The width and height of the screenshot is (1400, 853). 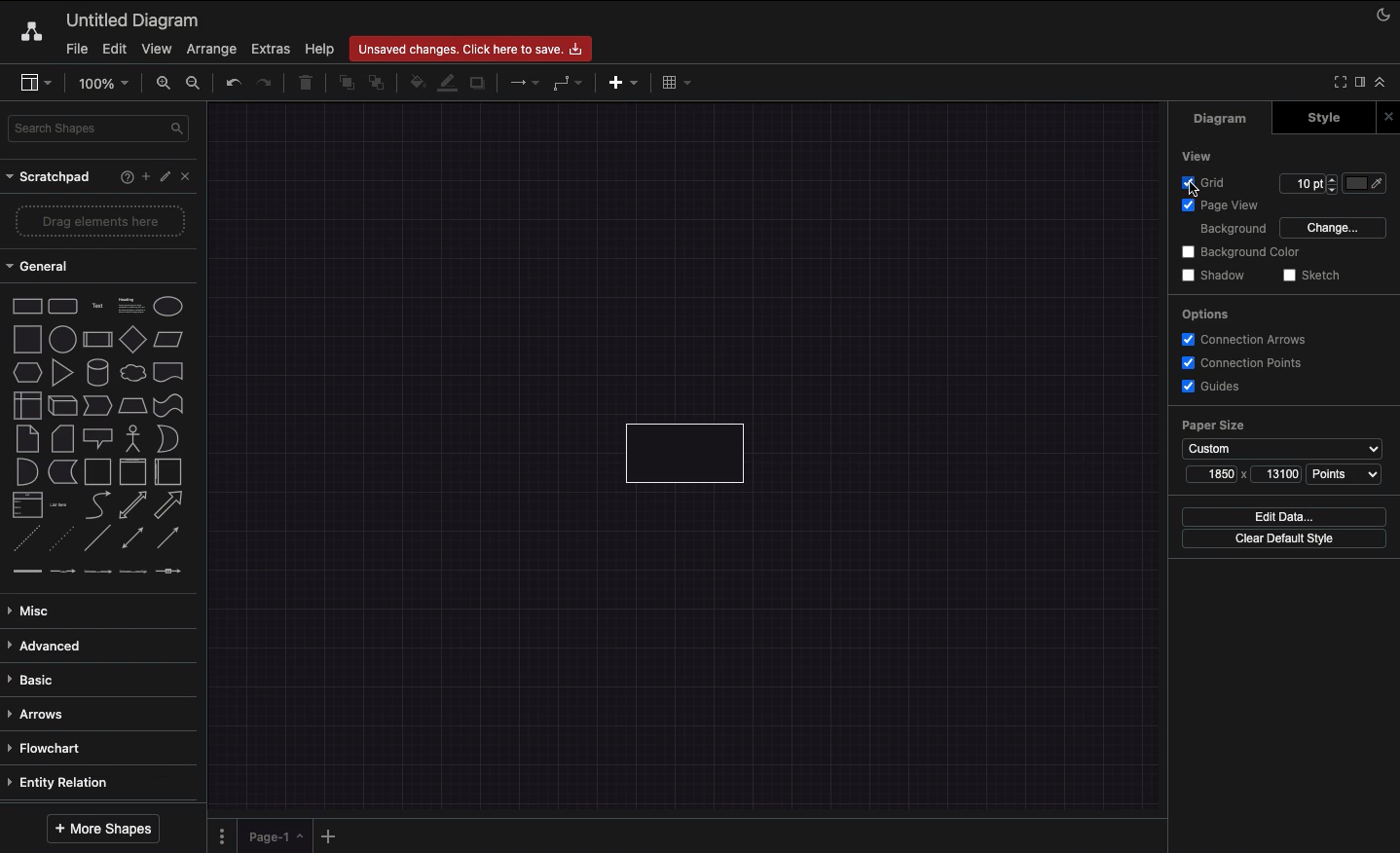 I want to click on Trash, so click(x=307, y=83).